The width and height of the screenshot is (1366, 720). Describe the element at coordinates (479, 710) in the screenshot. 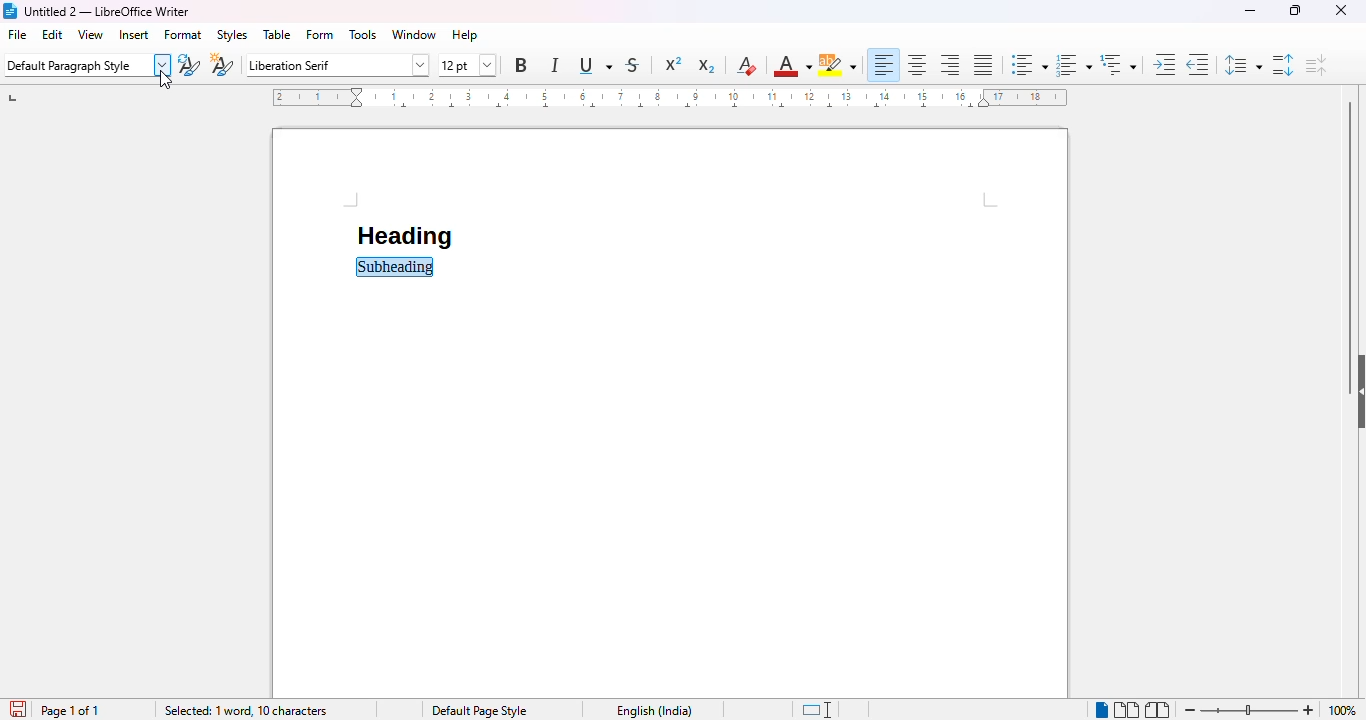

I see `page style` at that location.